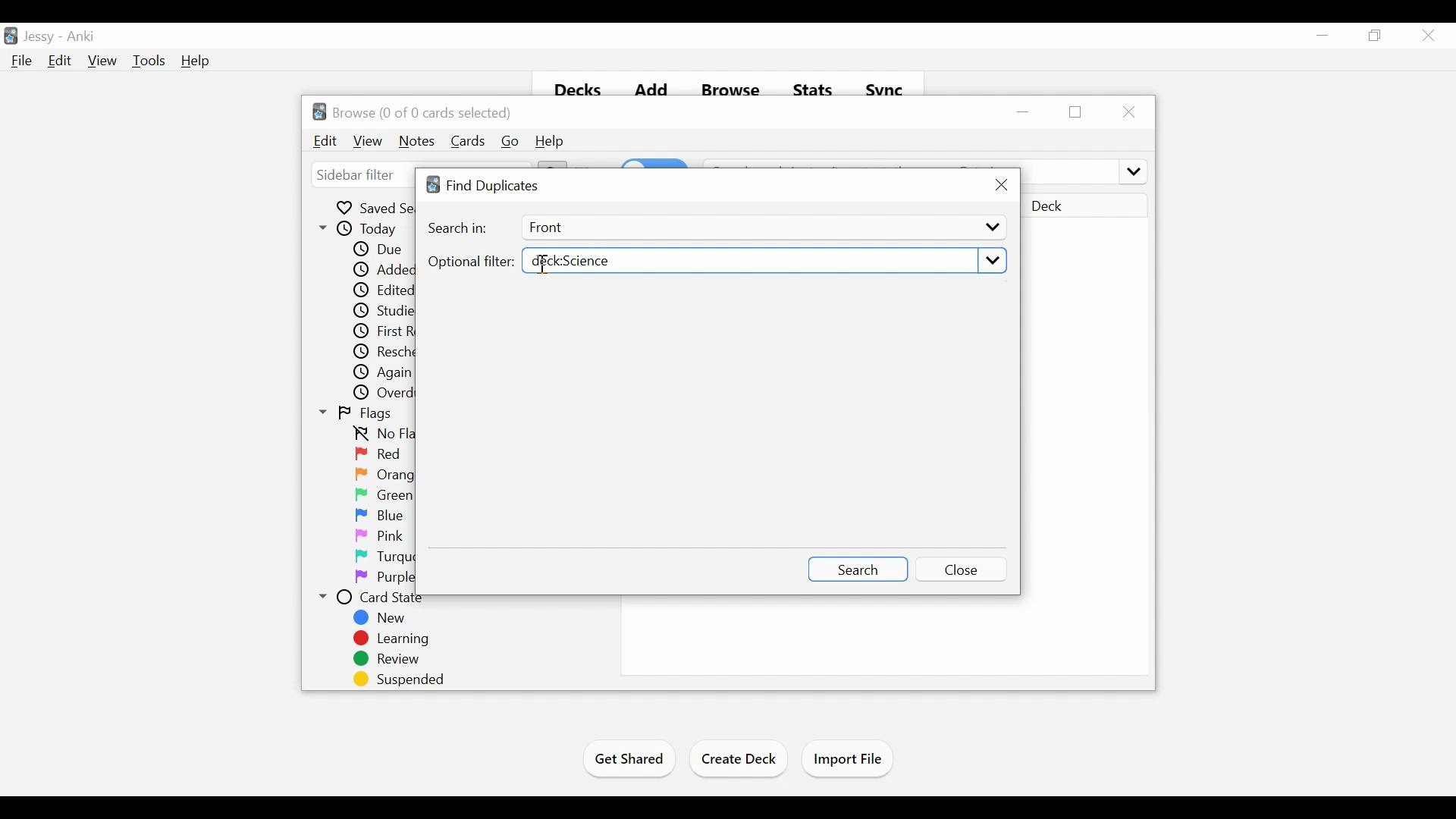 This screenshot has height=819, width=1456. I want to click on Browse, so click(730, 86).